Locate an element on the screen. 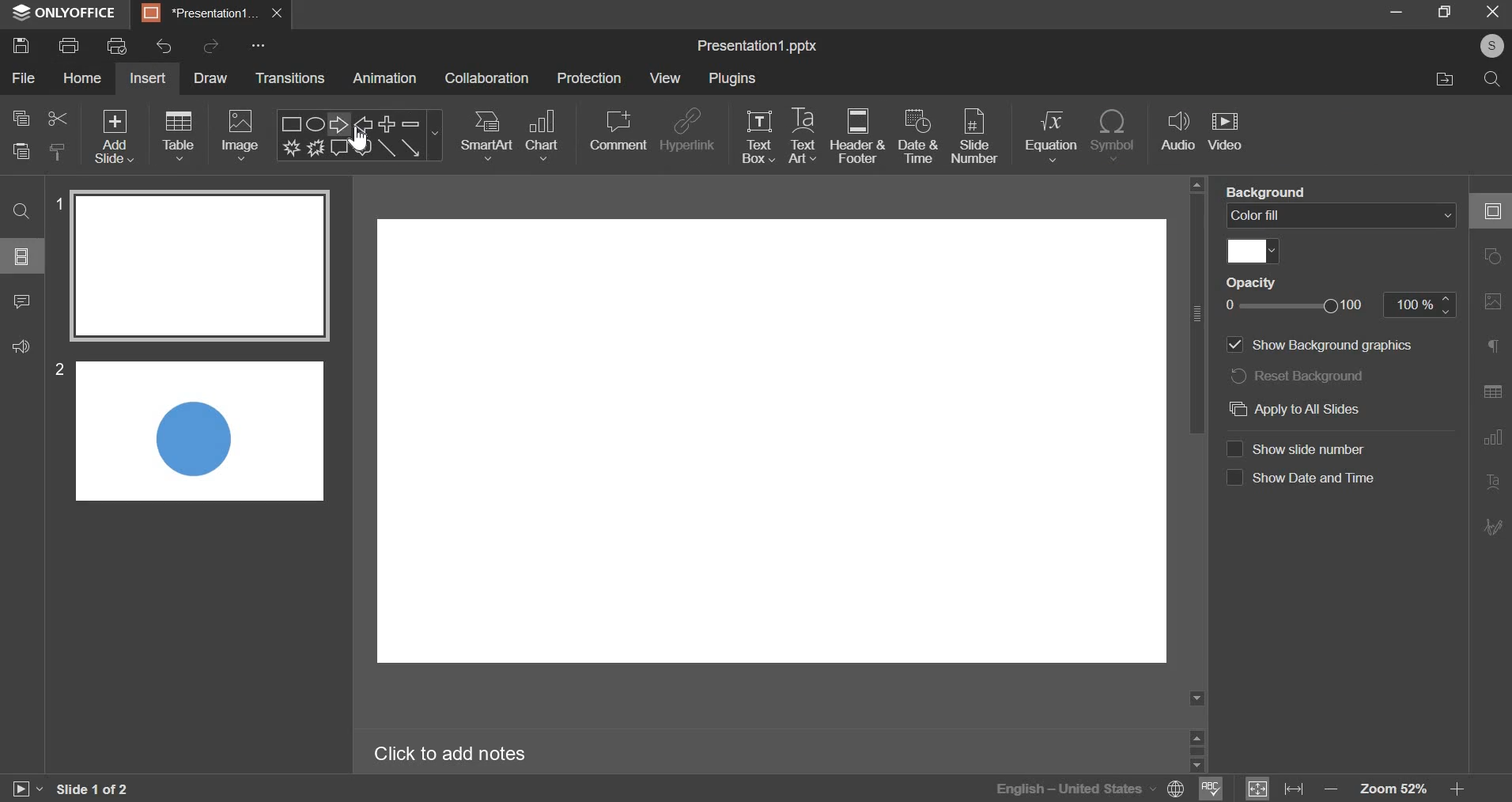  animation is located at coordinates (385, 78).